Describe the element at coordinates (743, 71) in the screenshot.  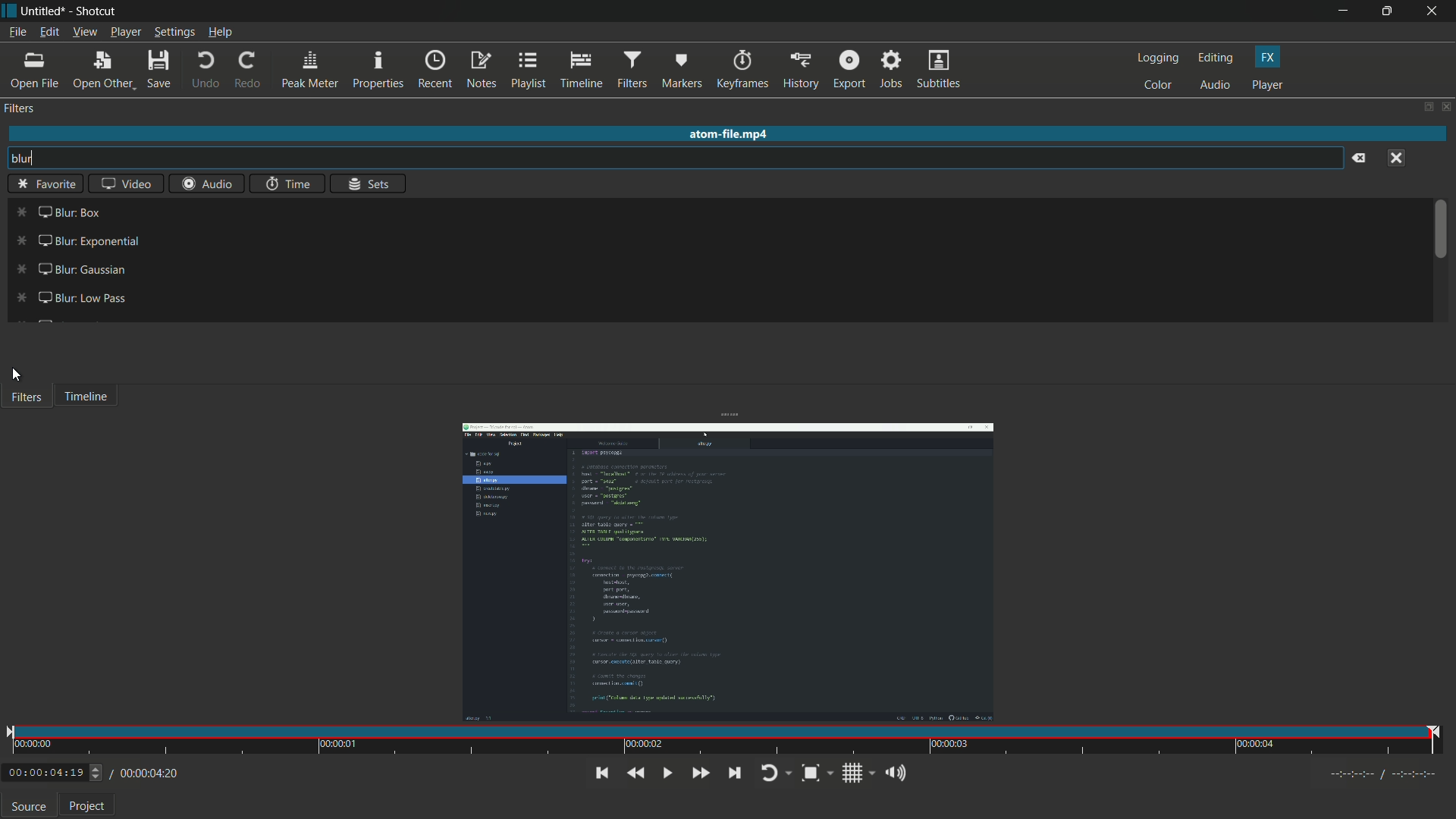
I see `keyframes` at that location.